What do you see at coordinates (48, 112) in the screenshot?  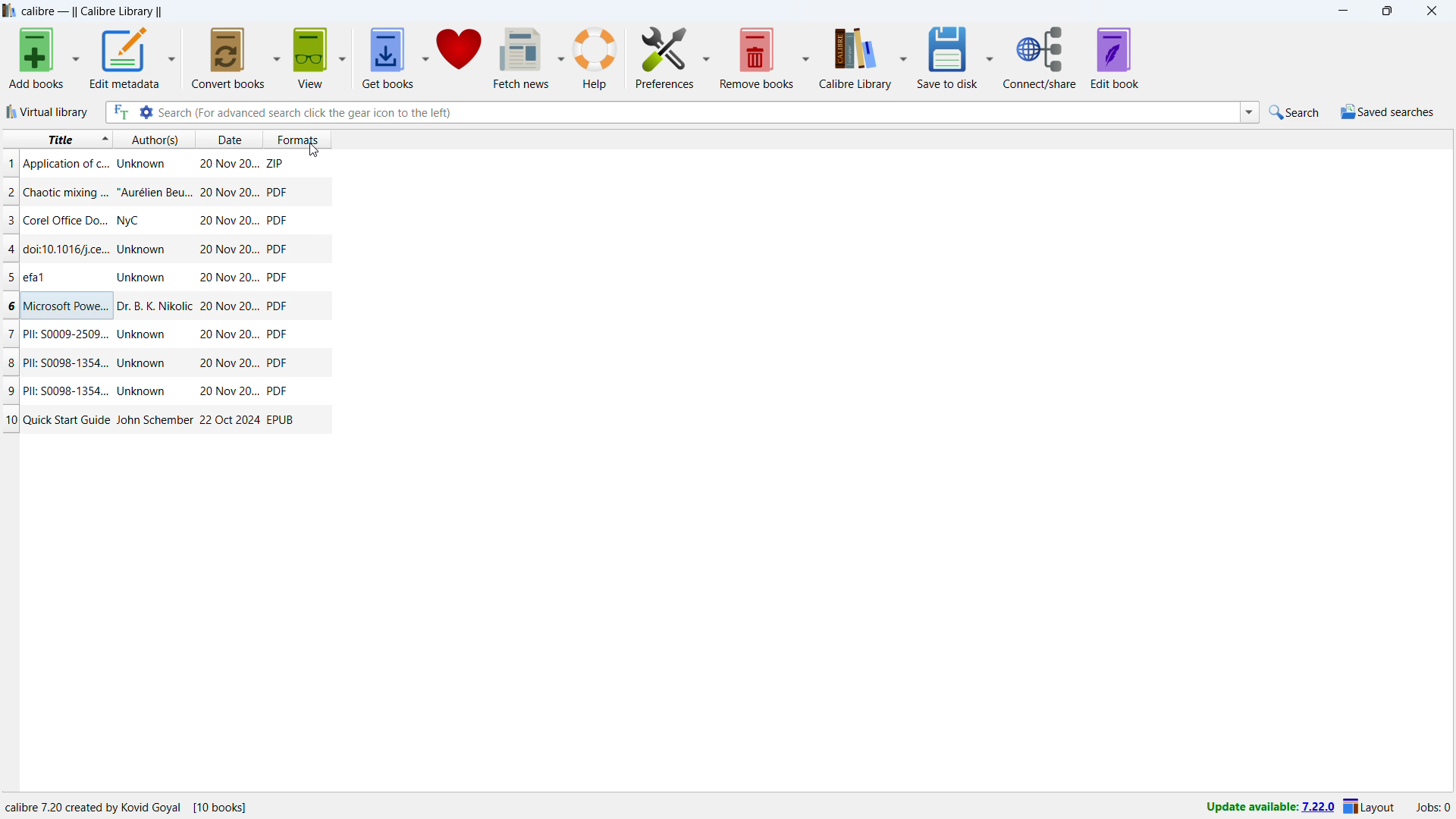 I see `virtual library` at bounding box center [48, 112].